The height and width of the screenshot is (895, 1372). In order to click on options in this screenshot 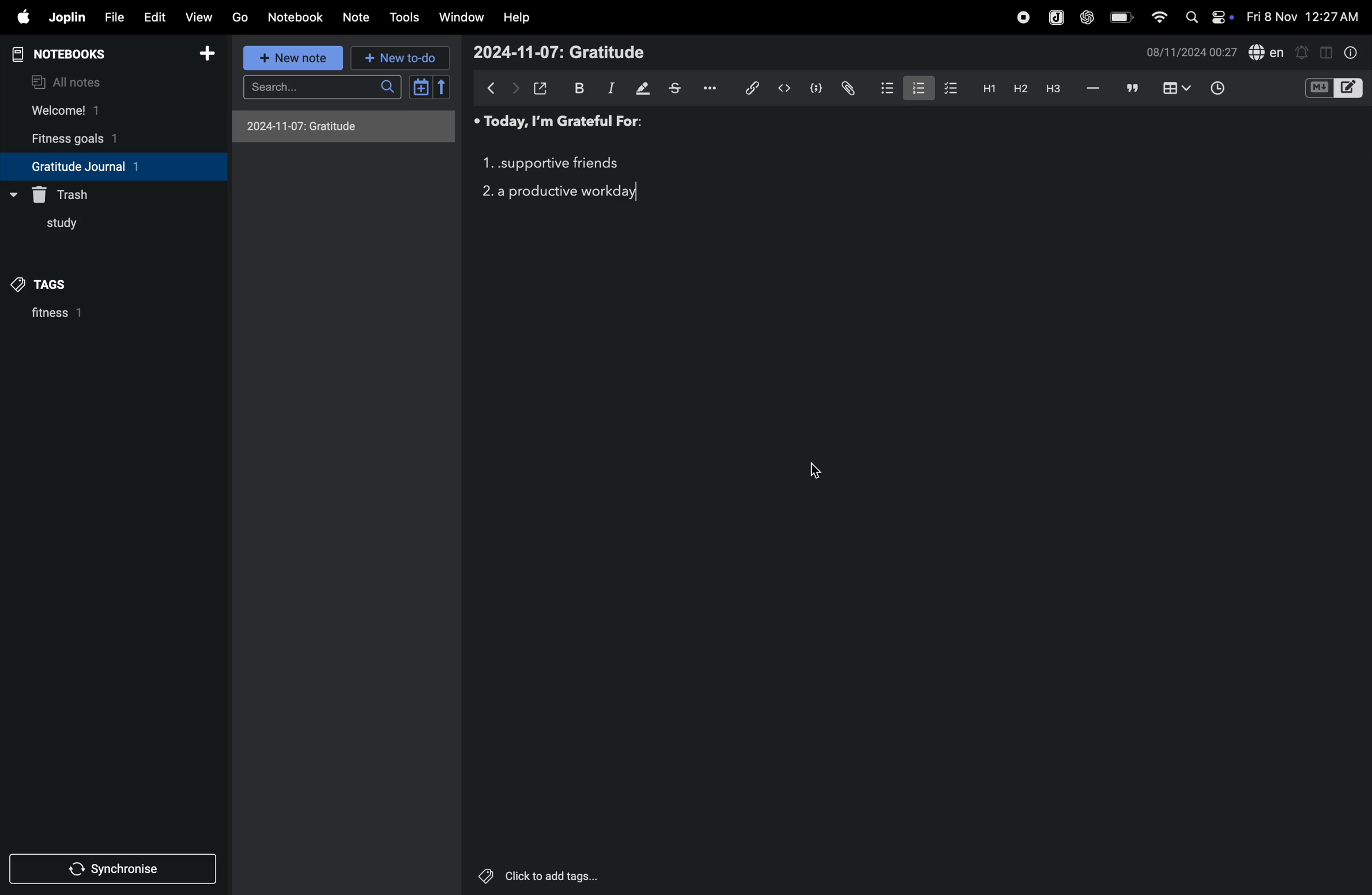, I will do `click(715, 87)`.